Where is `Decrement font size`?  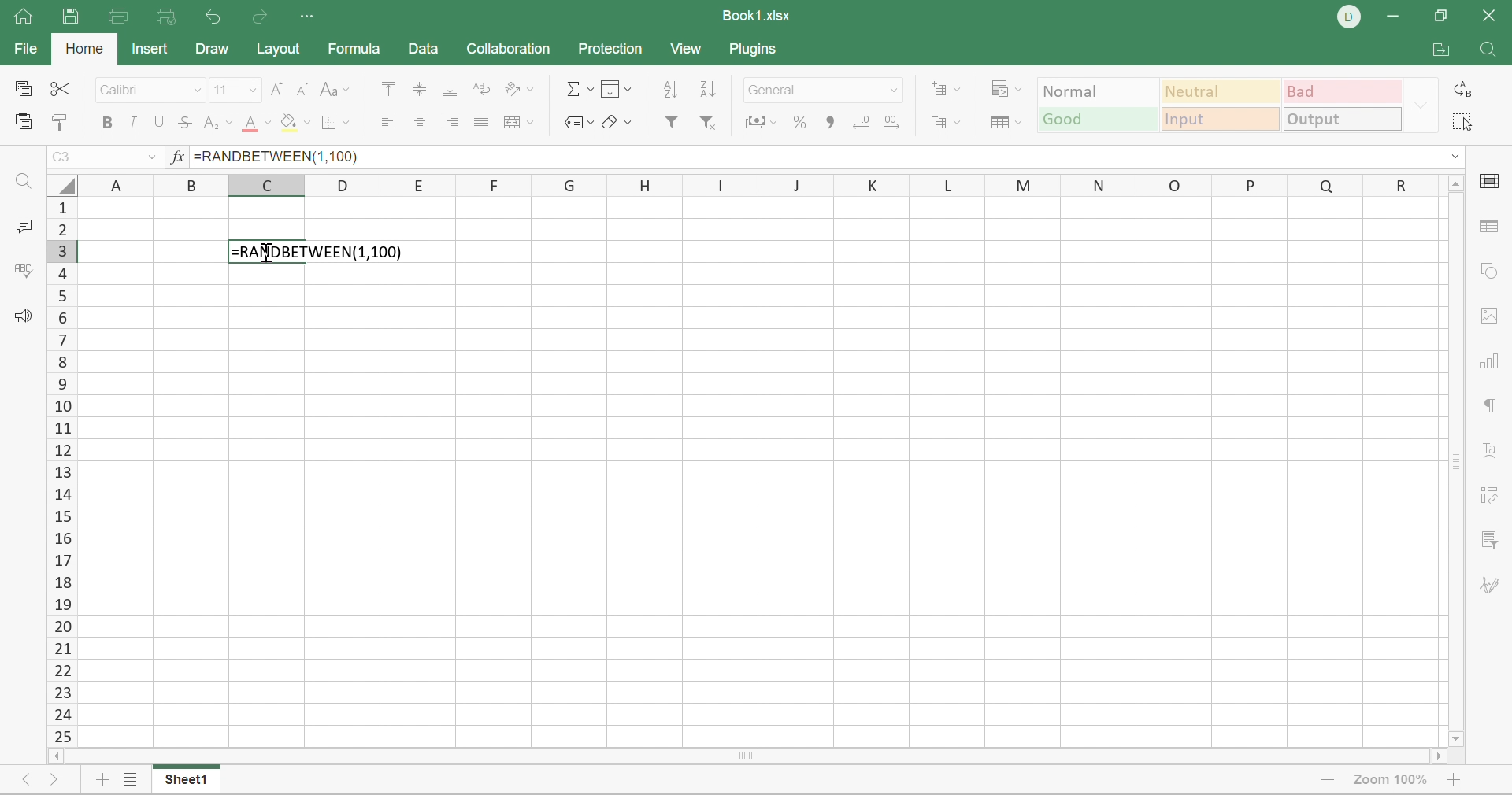
Decrement font size is located at coordinates (304, 90).